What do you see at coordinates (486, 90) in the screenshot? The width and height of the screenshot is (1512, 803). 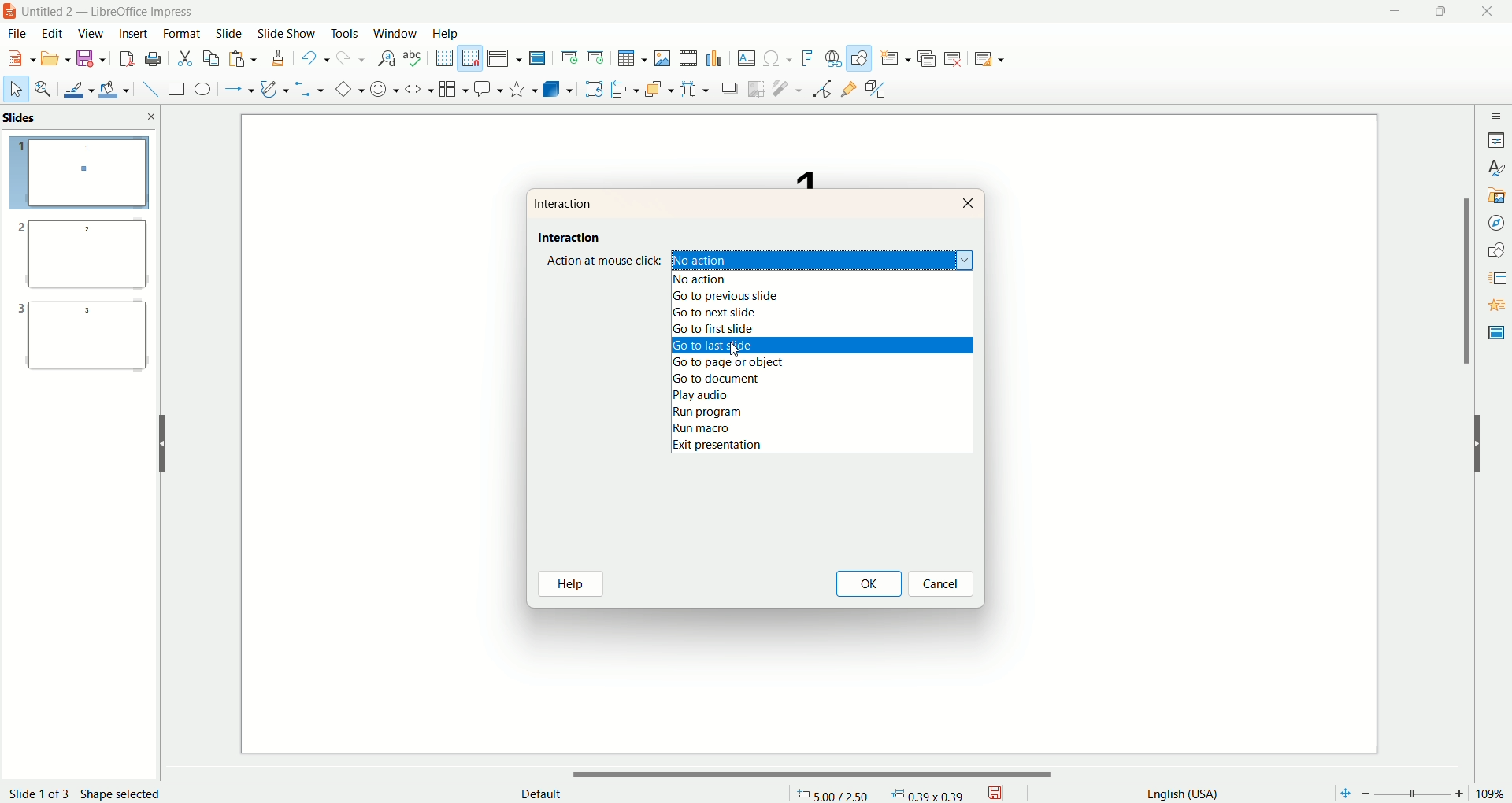 I see `callout shapes` at bounding box center [486, 90].